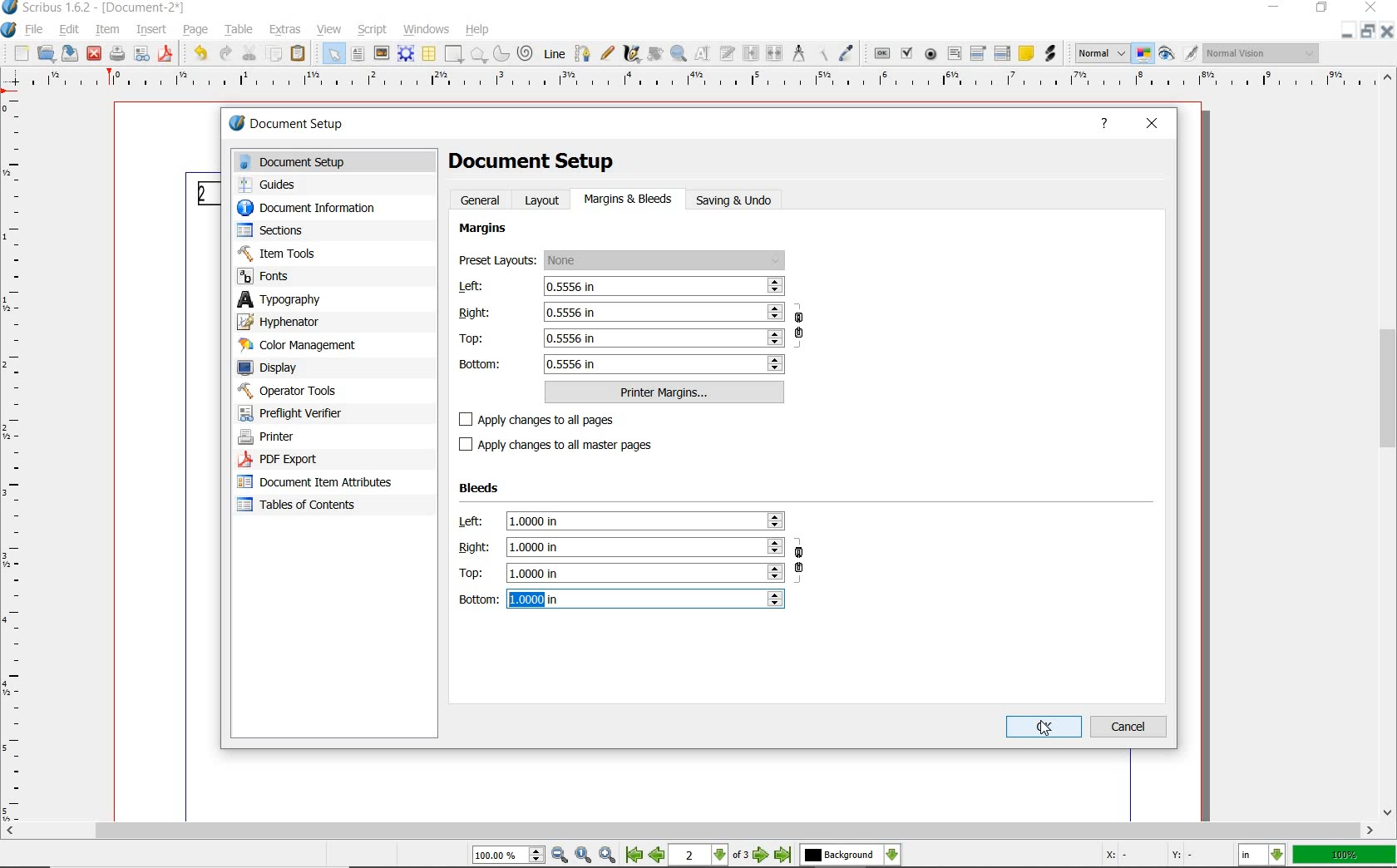 The height and width of the screenshot is (868, 1397). What do you see at coordinates (1389, 34) in the screenshot?
I see `Close` at bounding box center [1389, 34].